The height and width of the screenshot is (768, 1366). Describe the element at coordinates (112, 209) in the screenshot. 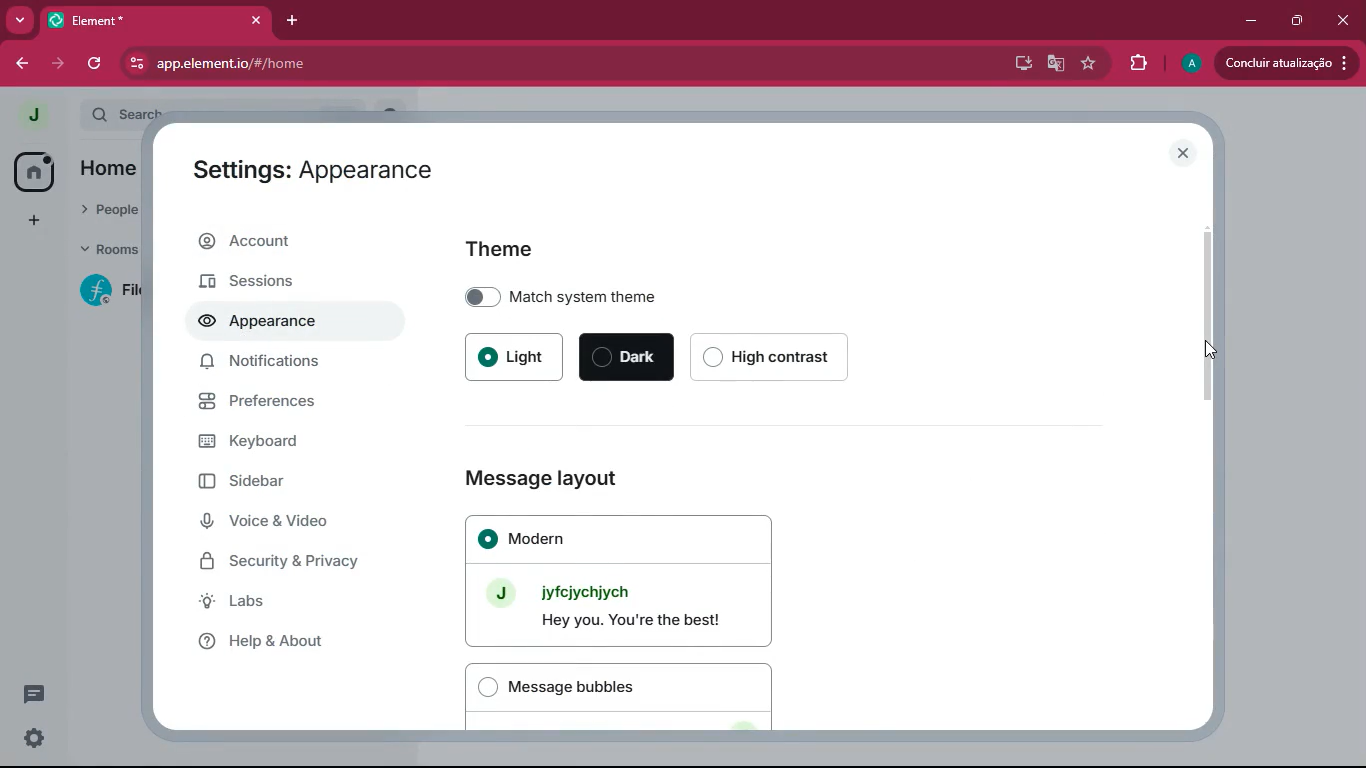

I see `people` at that location.